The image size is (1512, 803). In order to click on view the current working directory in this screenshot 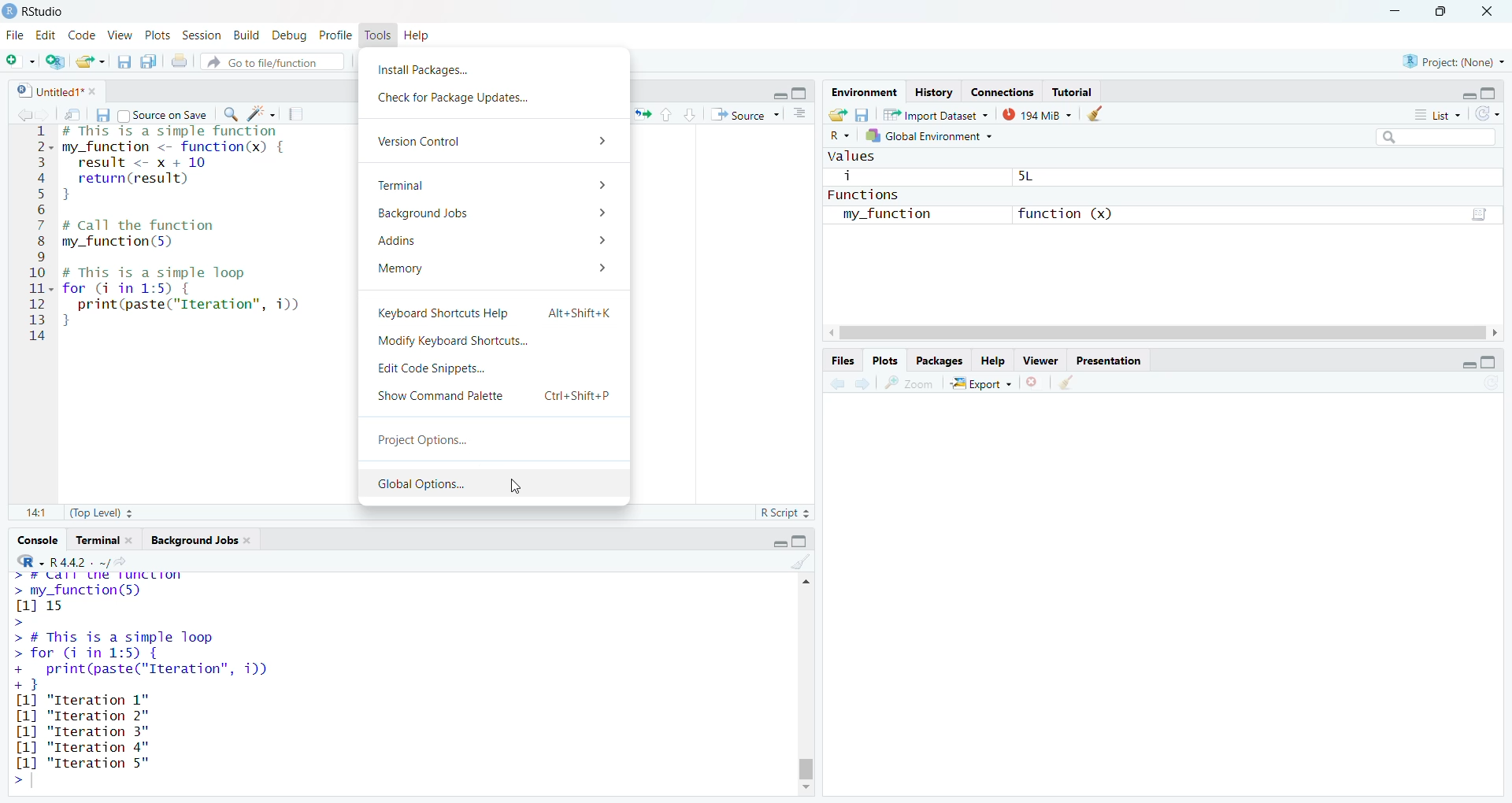, I will do `click(128, 561)`.